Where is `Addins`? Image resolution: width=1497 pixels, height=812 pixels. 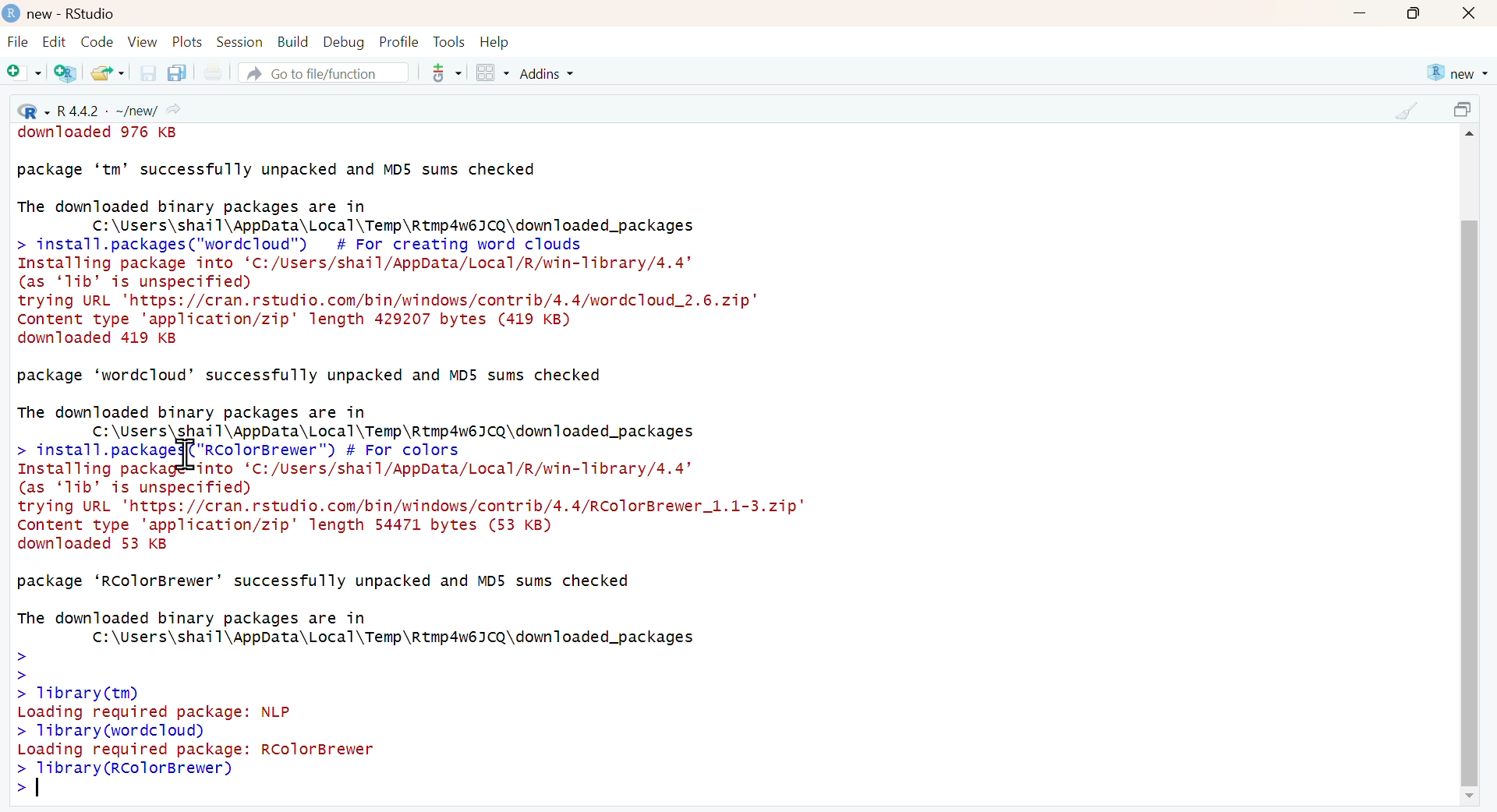
Addins is located at coordinates (548, 74).